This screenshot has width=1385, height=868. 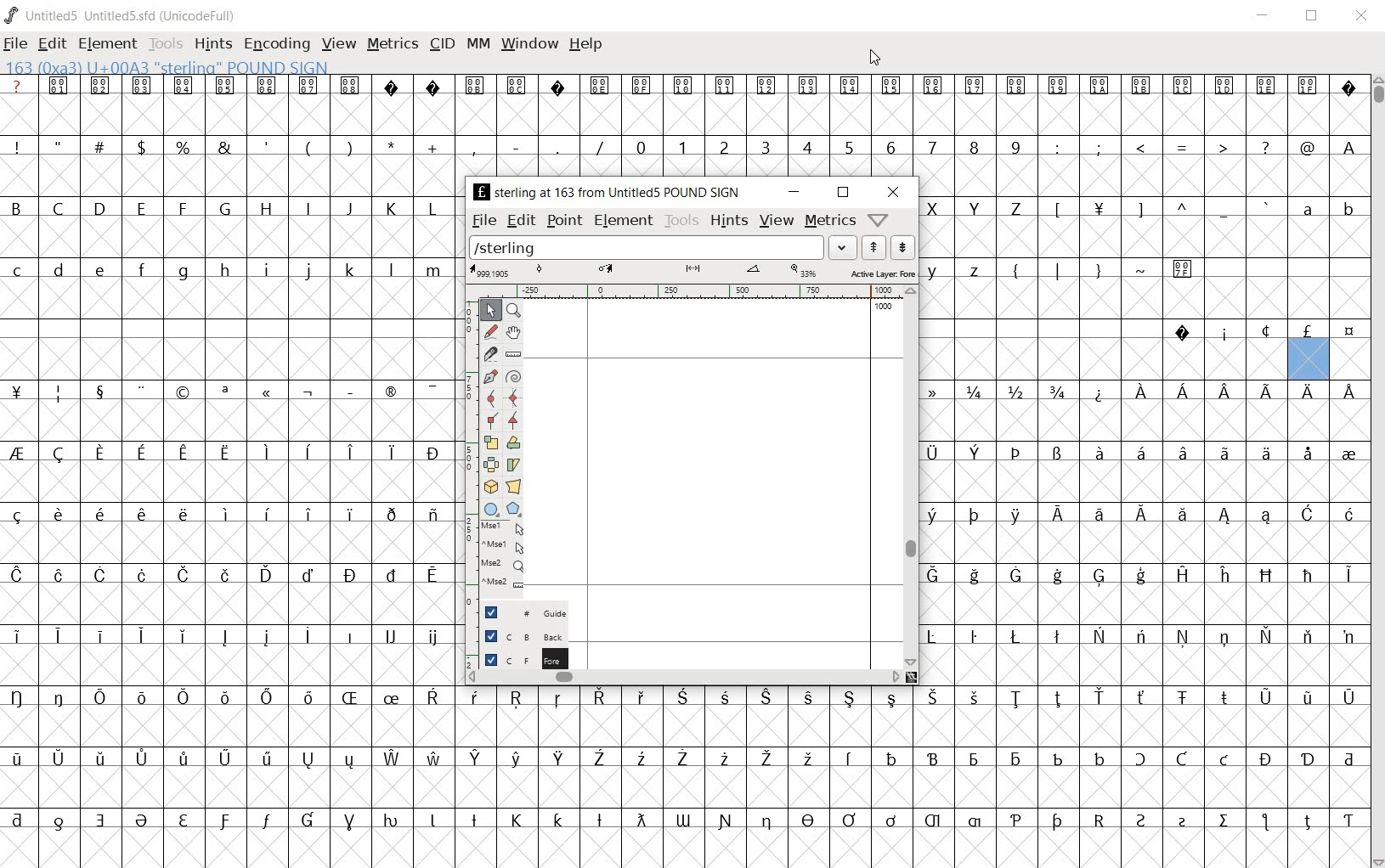 What do you see at coordinates (1268, 518) in the screenshot?
I see `Symbol` at bounding box center [1268, 518].